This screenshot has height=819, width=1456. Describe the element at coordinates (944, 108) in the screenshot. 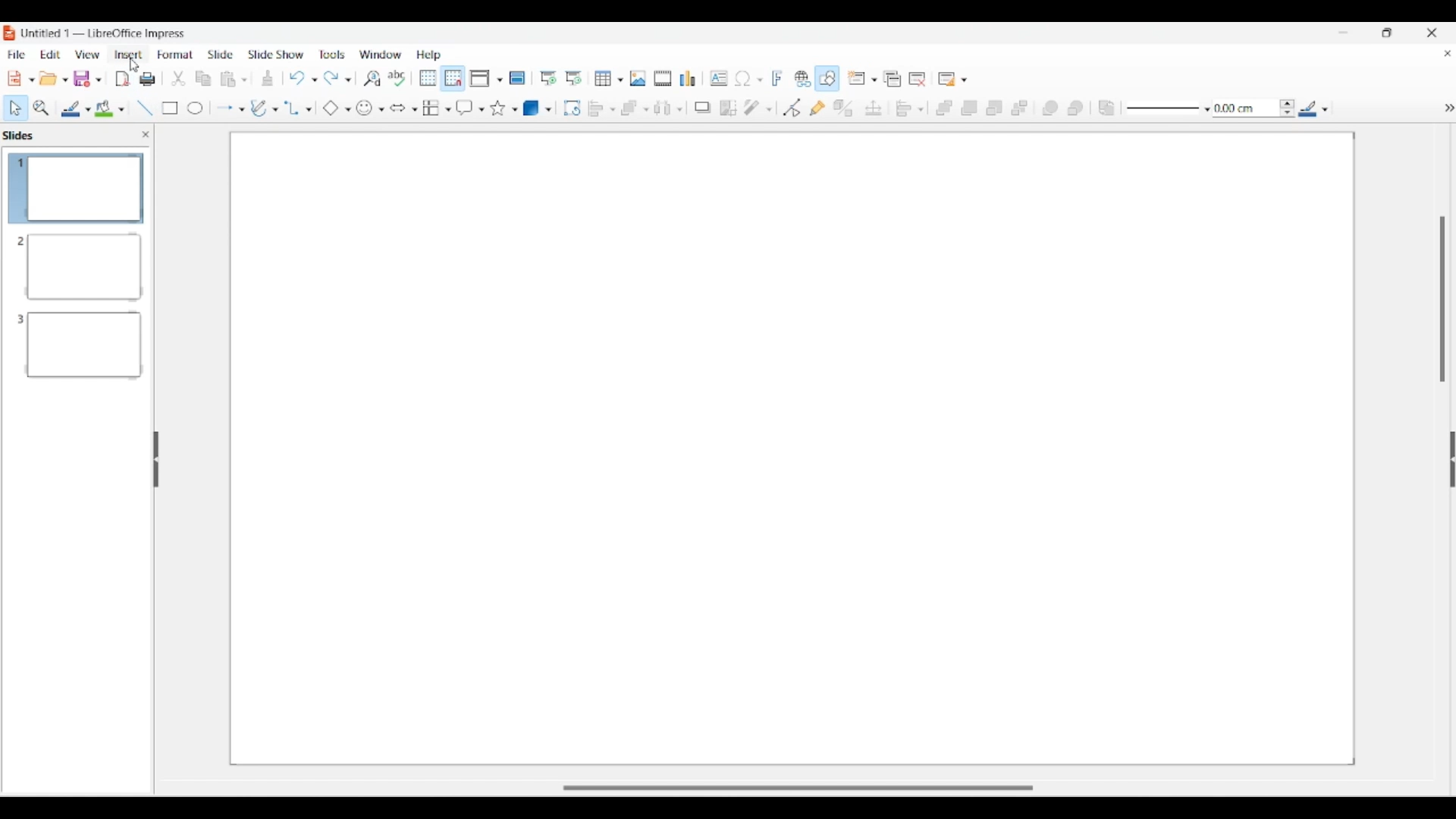

I see `Bring to front` at that location.